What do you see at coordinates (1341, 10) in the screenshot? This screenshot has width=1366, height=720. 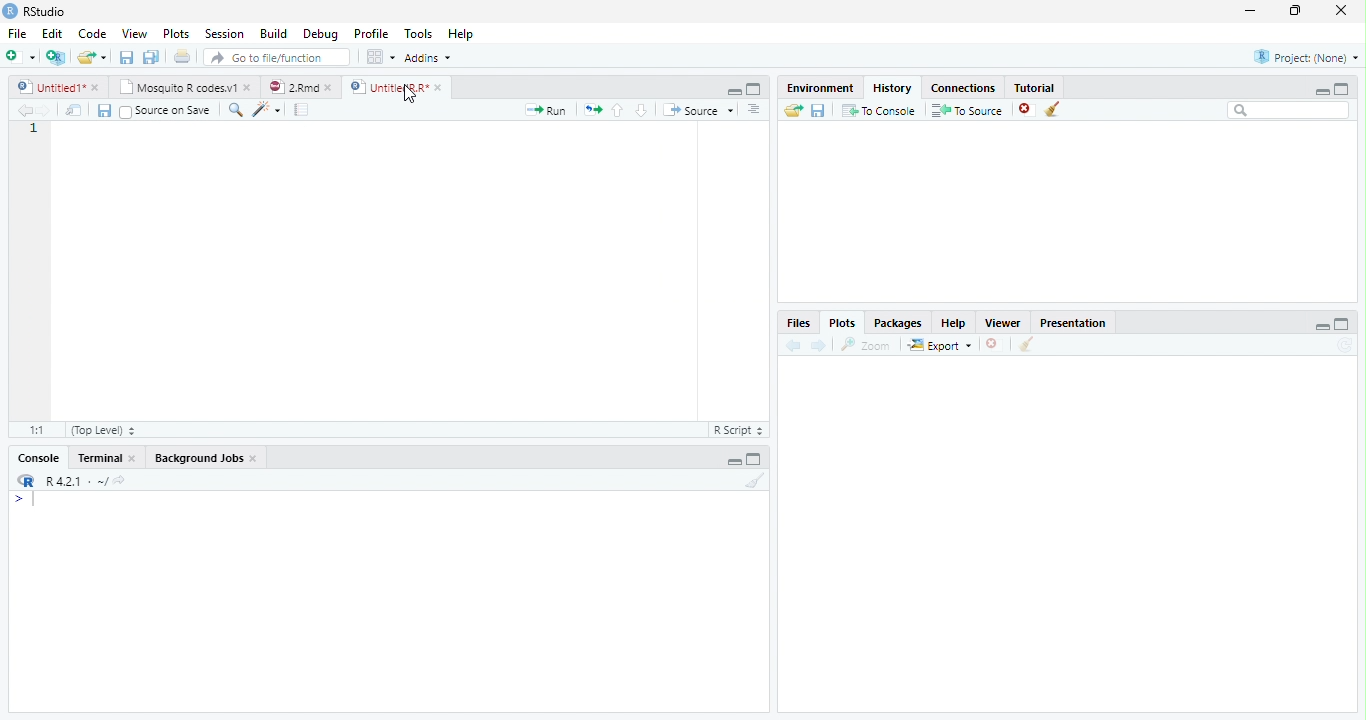 I see `close` at bounding box center [1341, 10].